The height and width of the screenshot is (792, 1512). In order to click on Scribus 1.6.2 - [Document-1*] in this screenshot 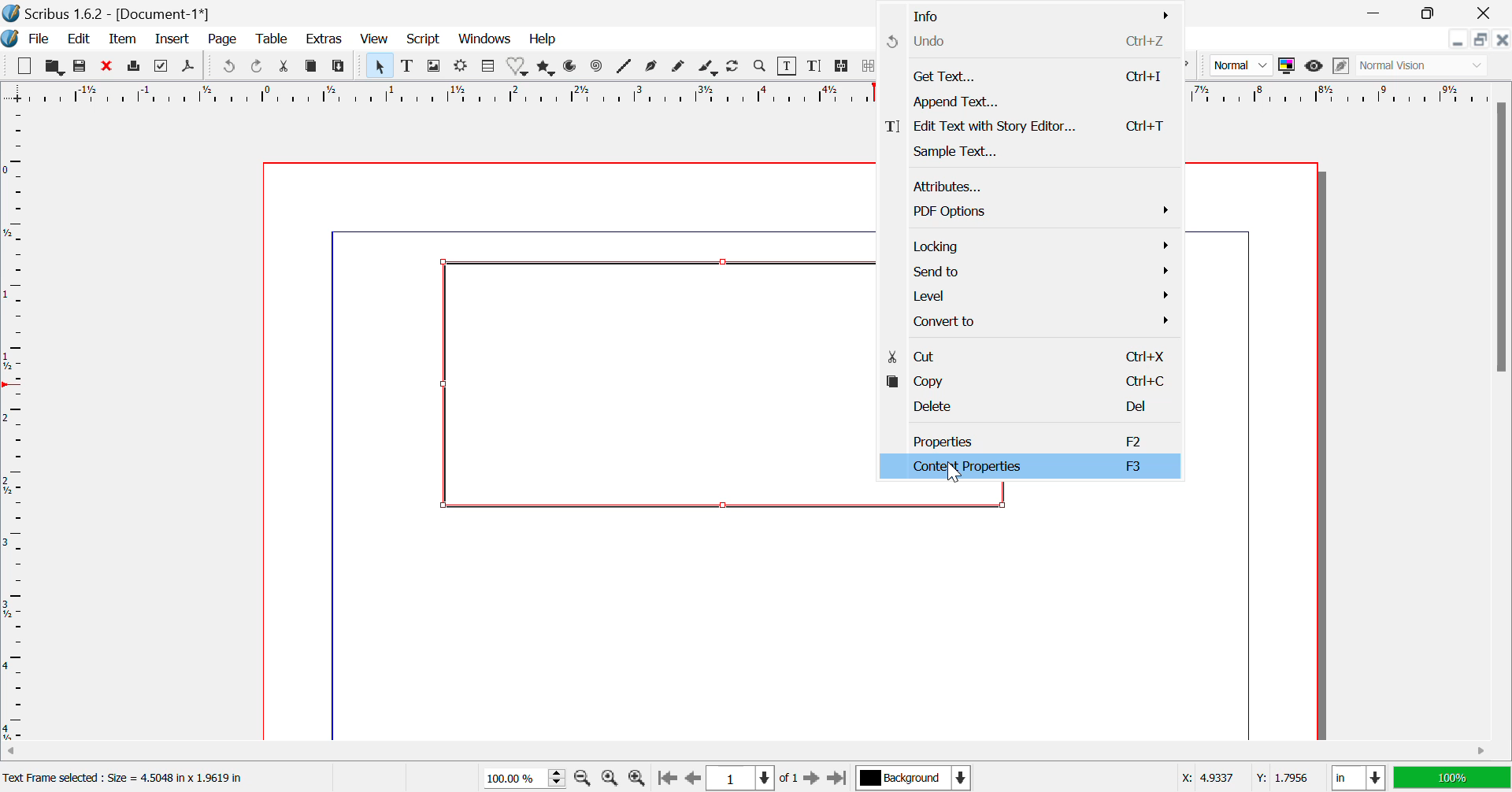, I will do `click(121, 13)`.